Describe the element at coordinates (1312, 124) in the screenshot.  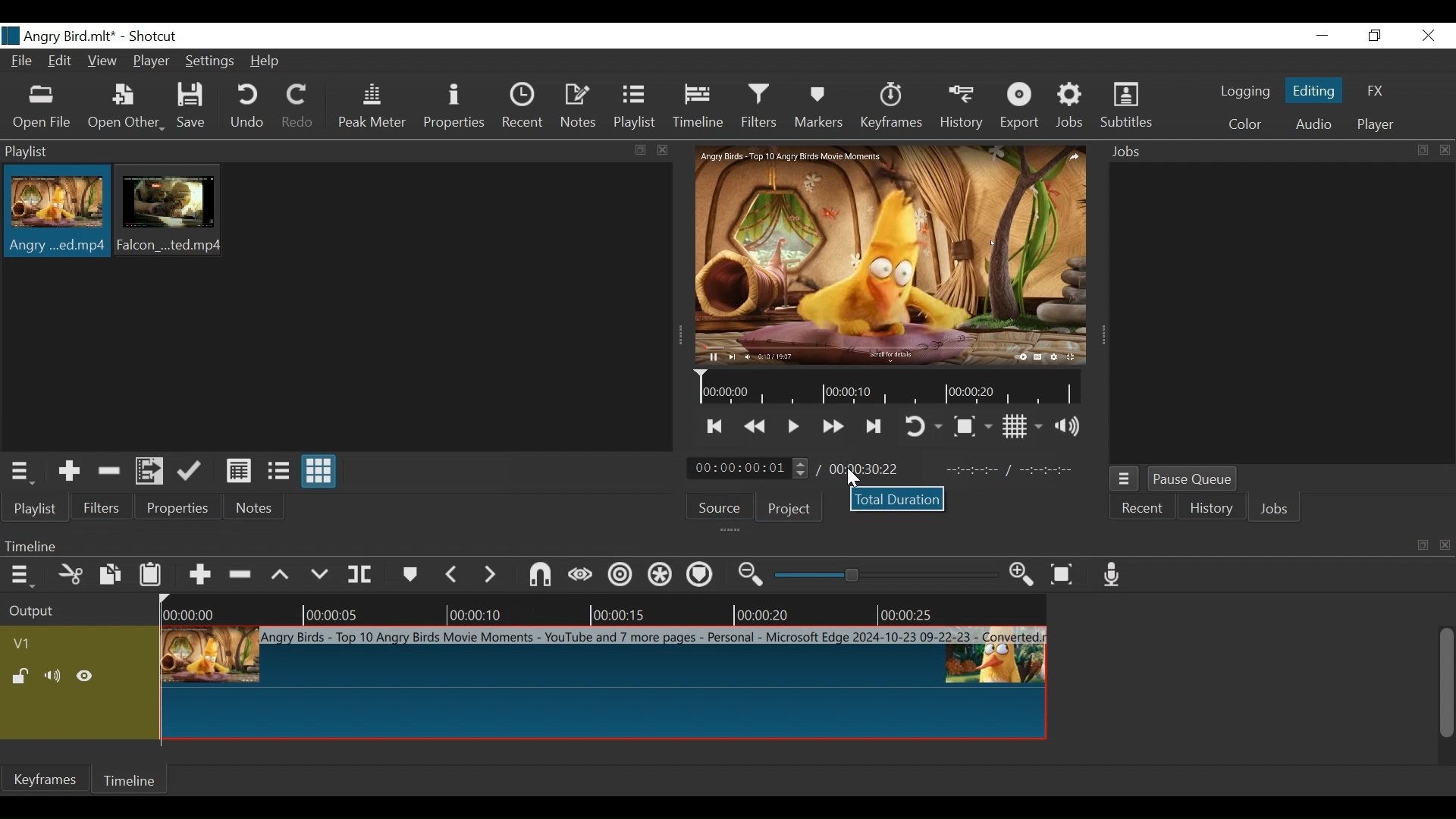
I see `Audio` at that location.